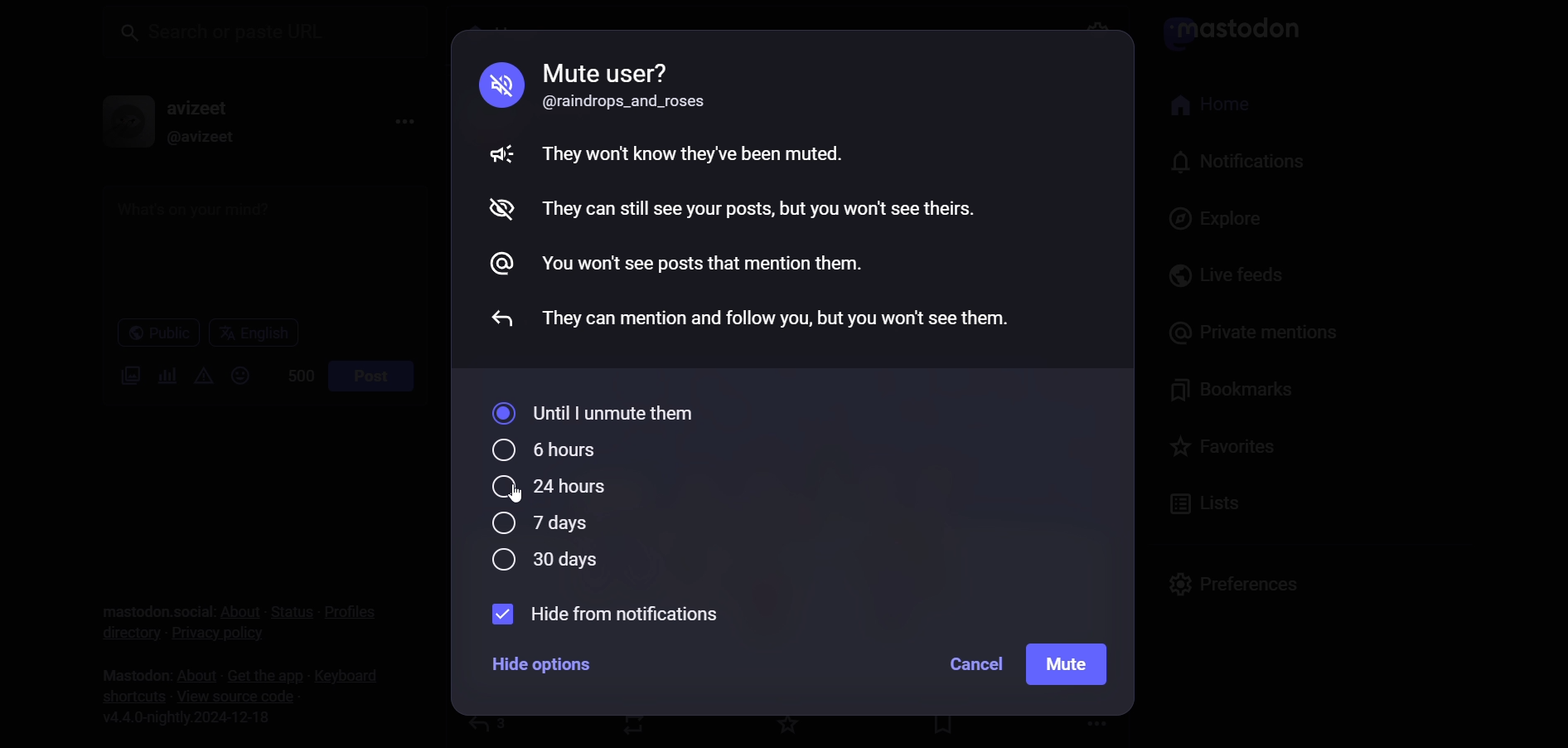 The height and width of the screenshot is (748, 1568). I want to click on mute, so click(1069, 662).